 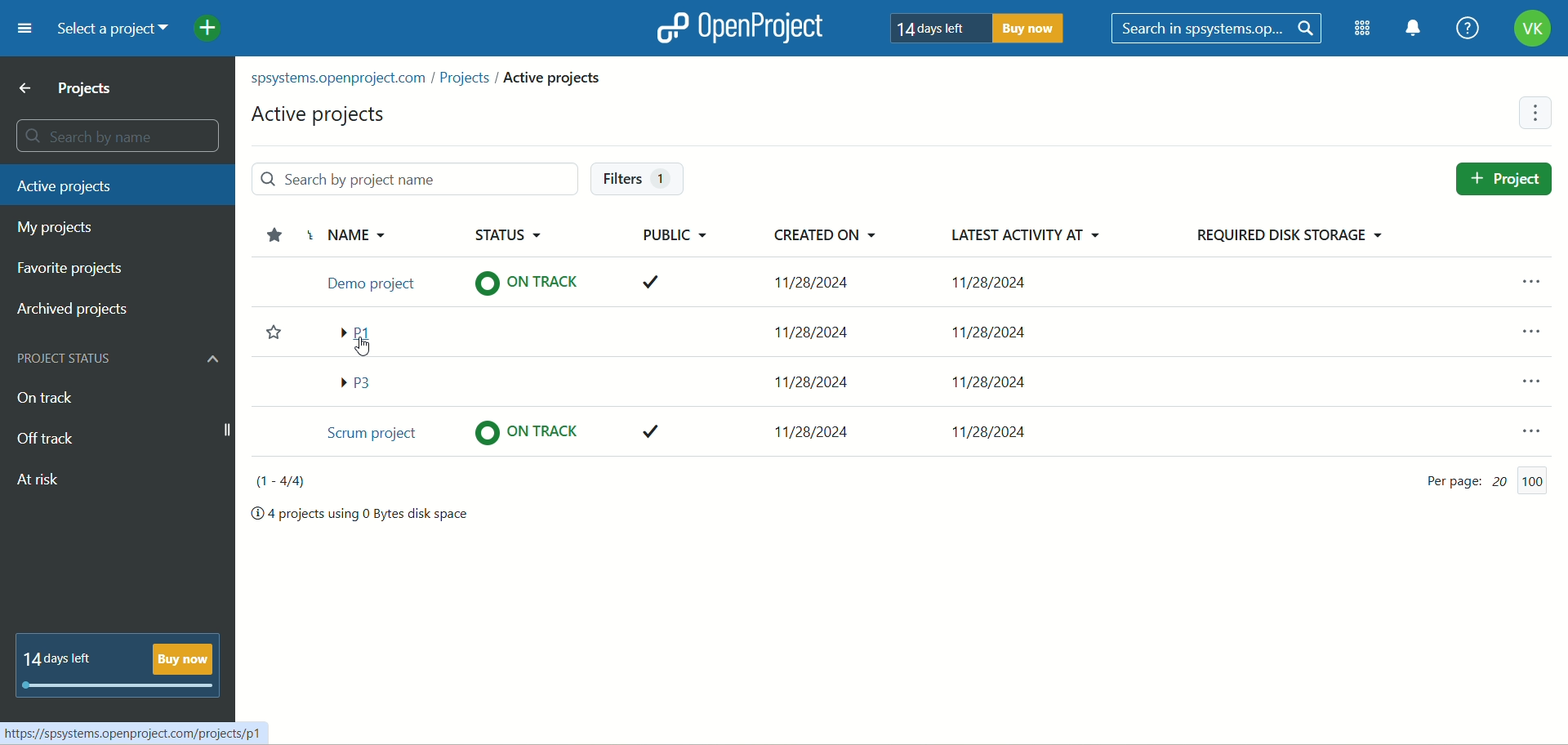 I want to click on projects, so click(x=69, y=89).